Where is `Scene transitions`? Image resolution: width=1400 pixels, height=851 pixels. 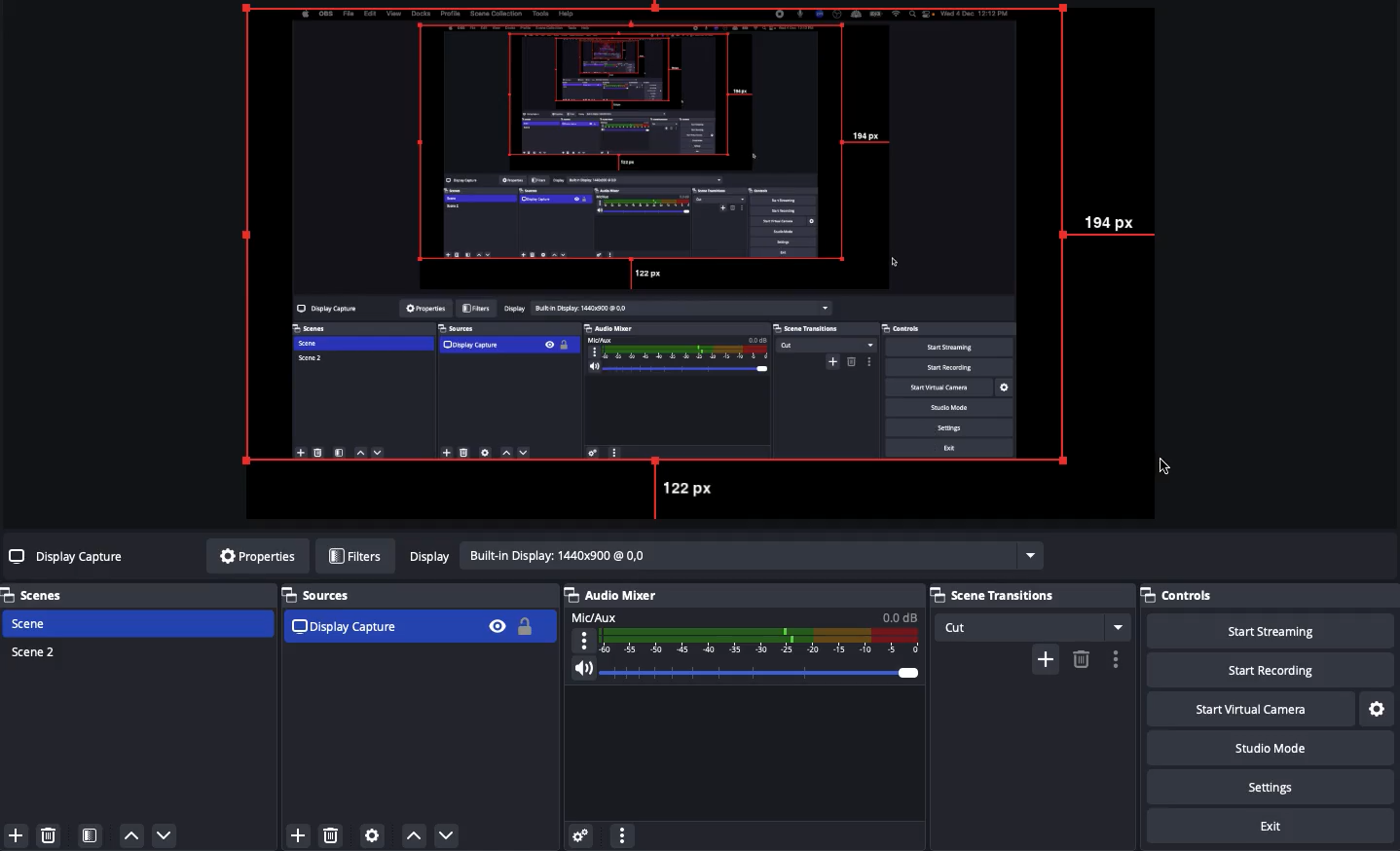 Scene transitions is located at coordinates (1030, 611).